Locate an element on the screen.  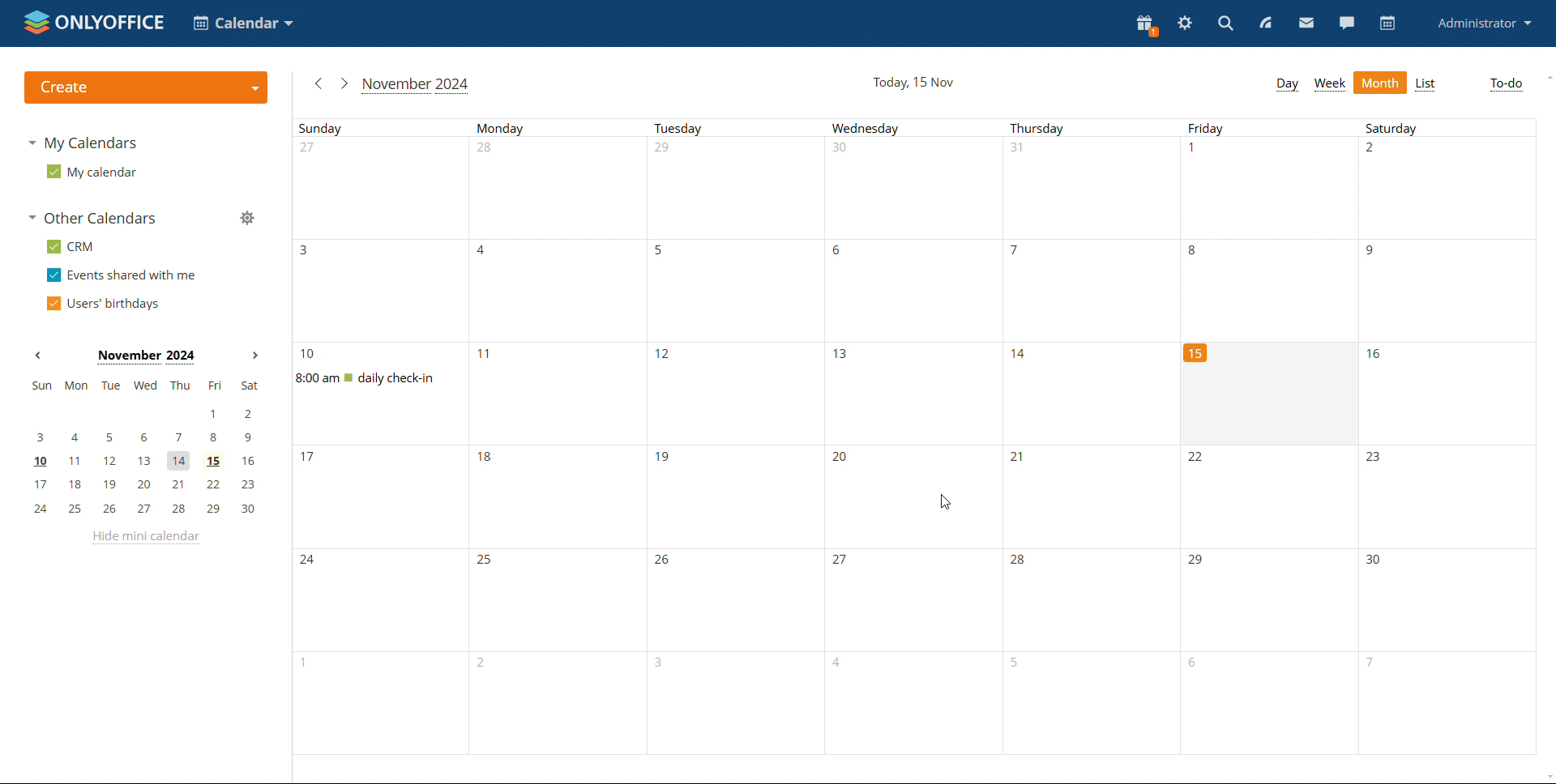
current month is located at coordinates (415, 84).